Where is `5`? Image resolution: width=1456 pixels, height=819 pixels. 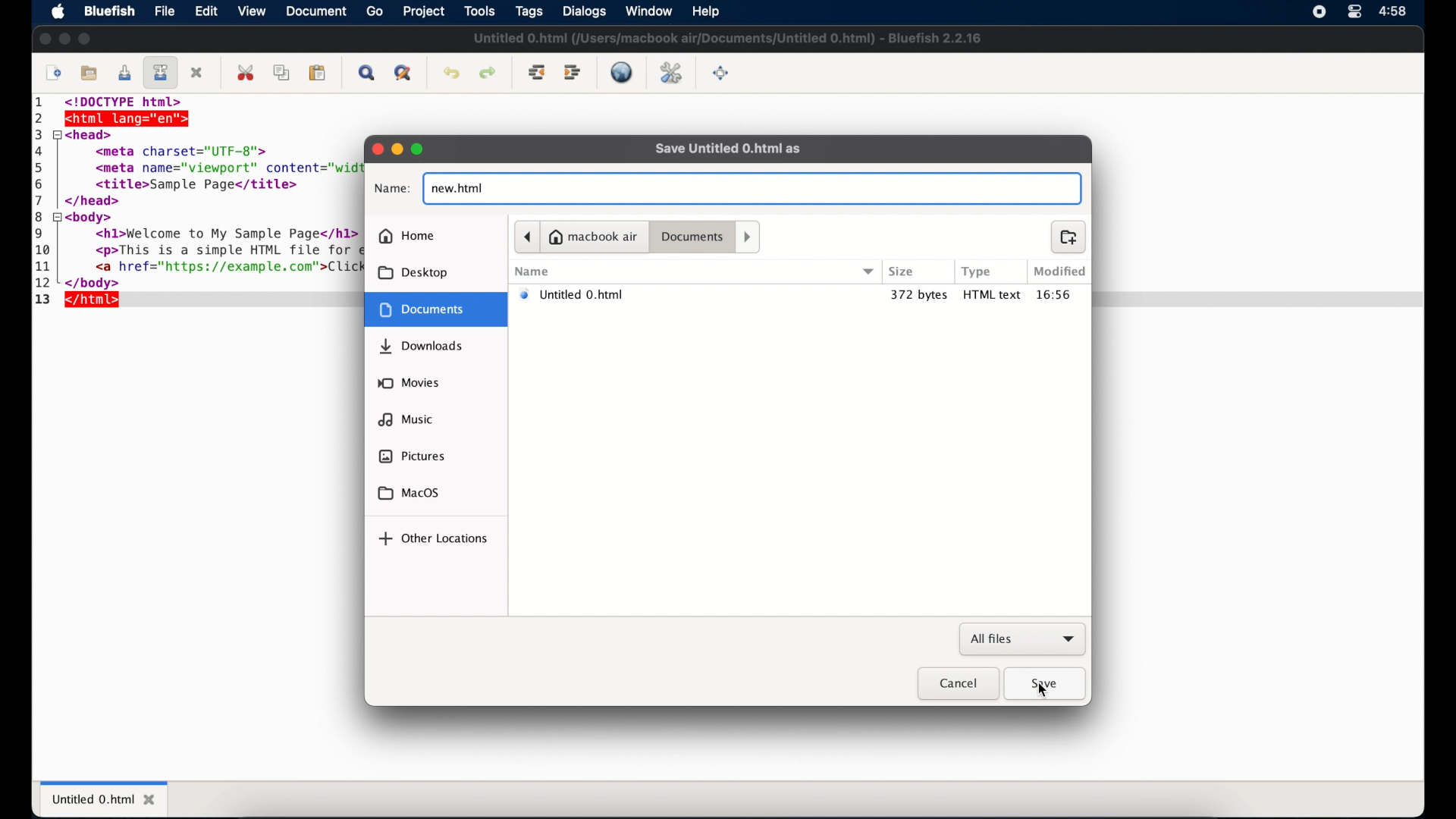 5 is located at coordinates (43, 166).